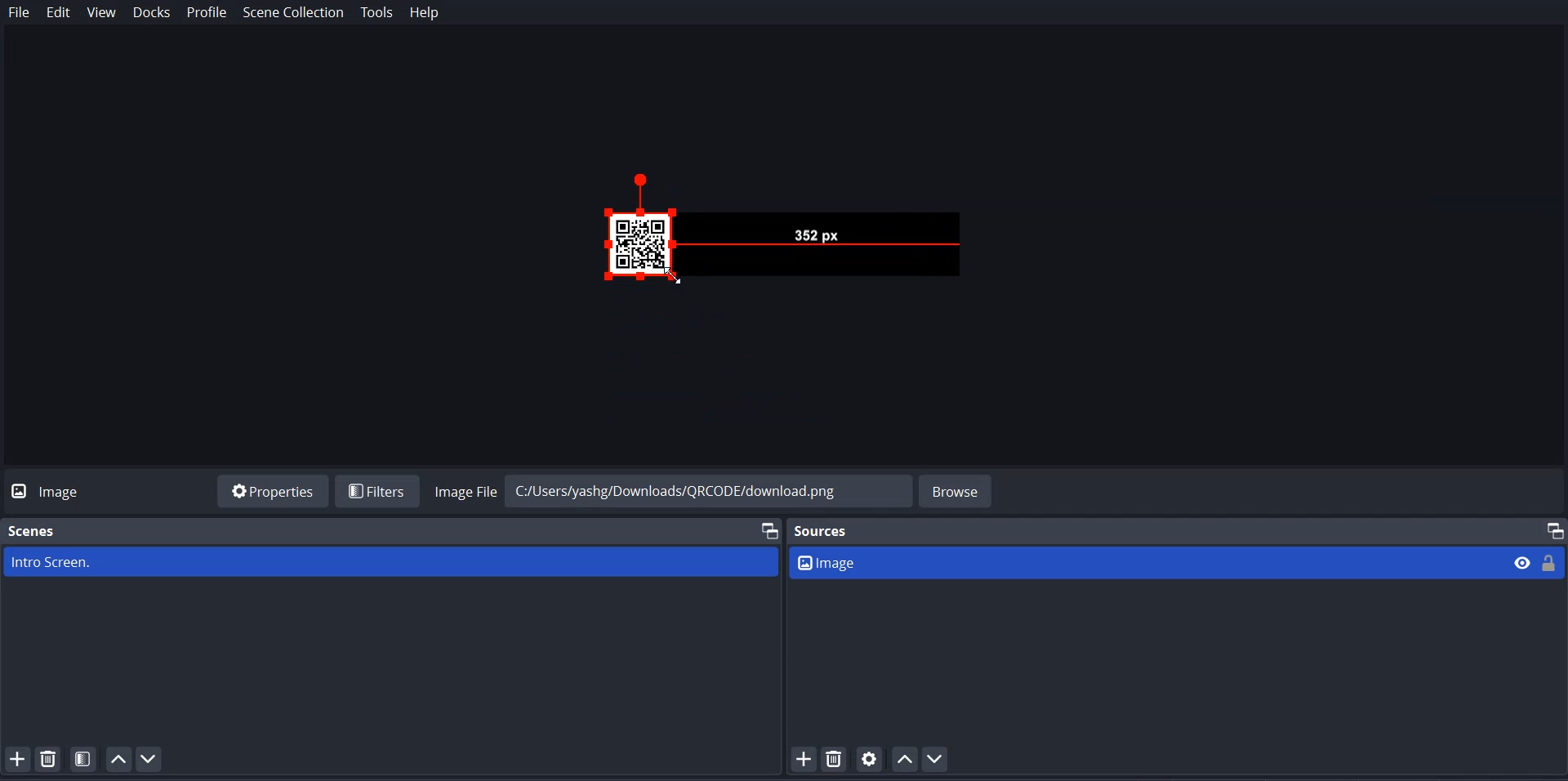  What do you see at coordinates (153, 14) in the screenshot?
I see `Docks` at bounding box center [153, 14].